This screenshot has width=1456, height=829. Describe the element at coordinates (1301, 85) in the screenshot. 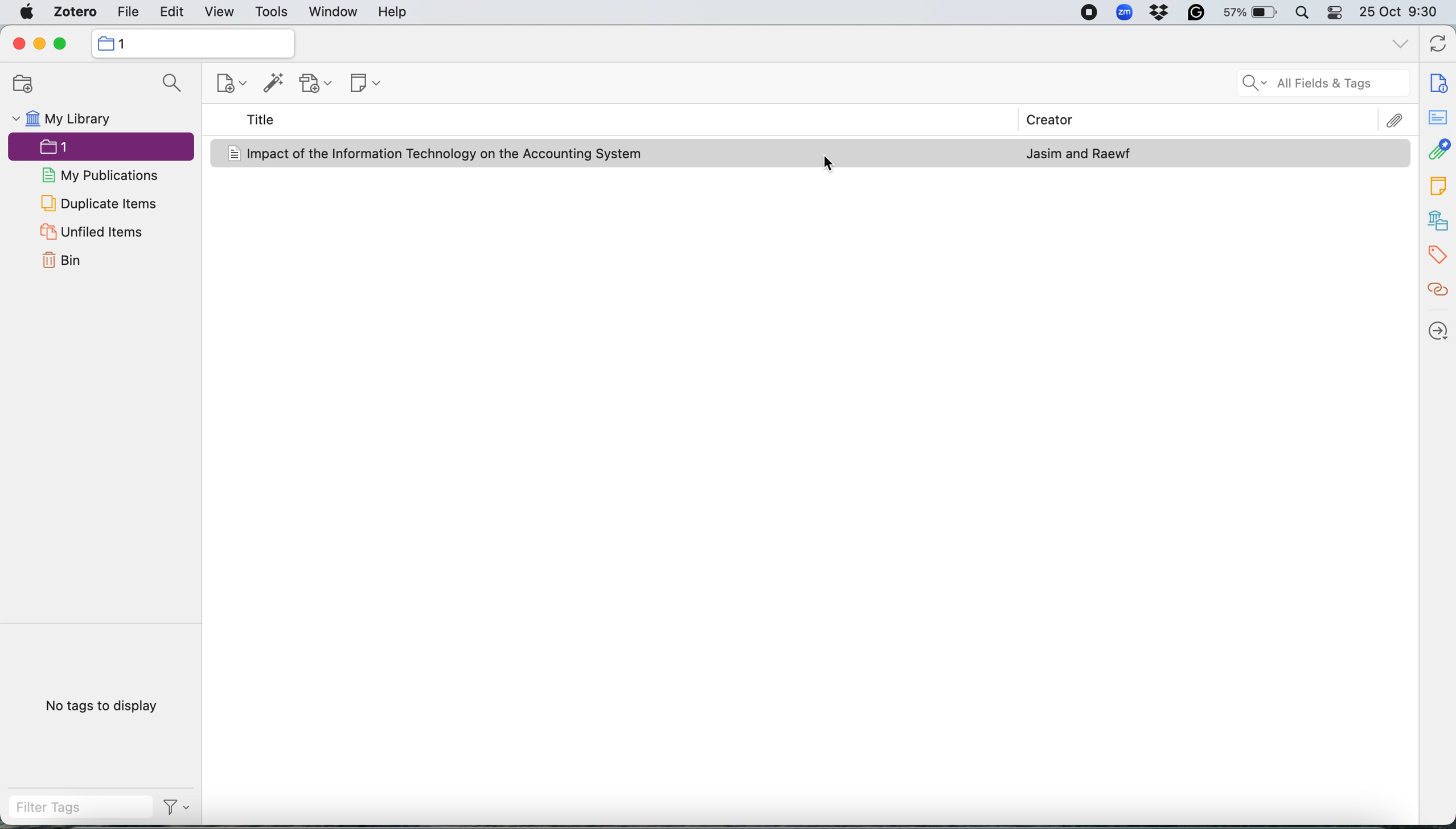

I see `all fields and tags` at that location.